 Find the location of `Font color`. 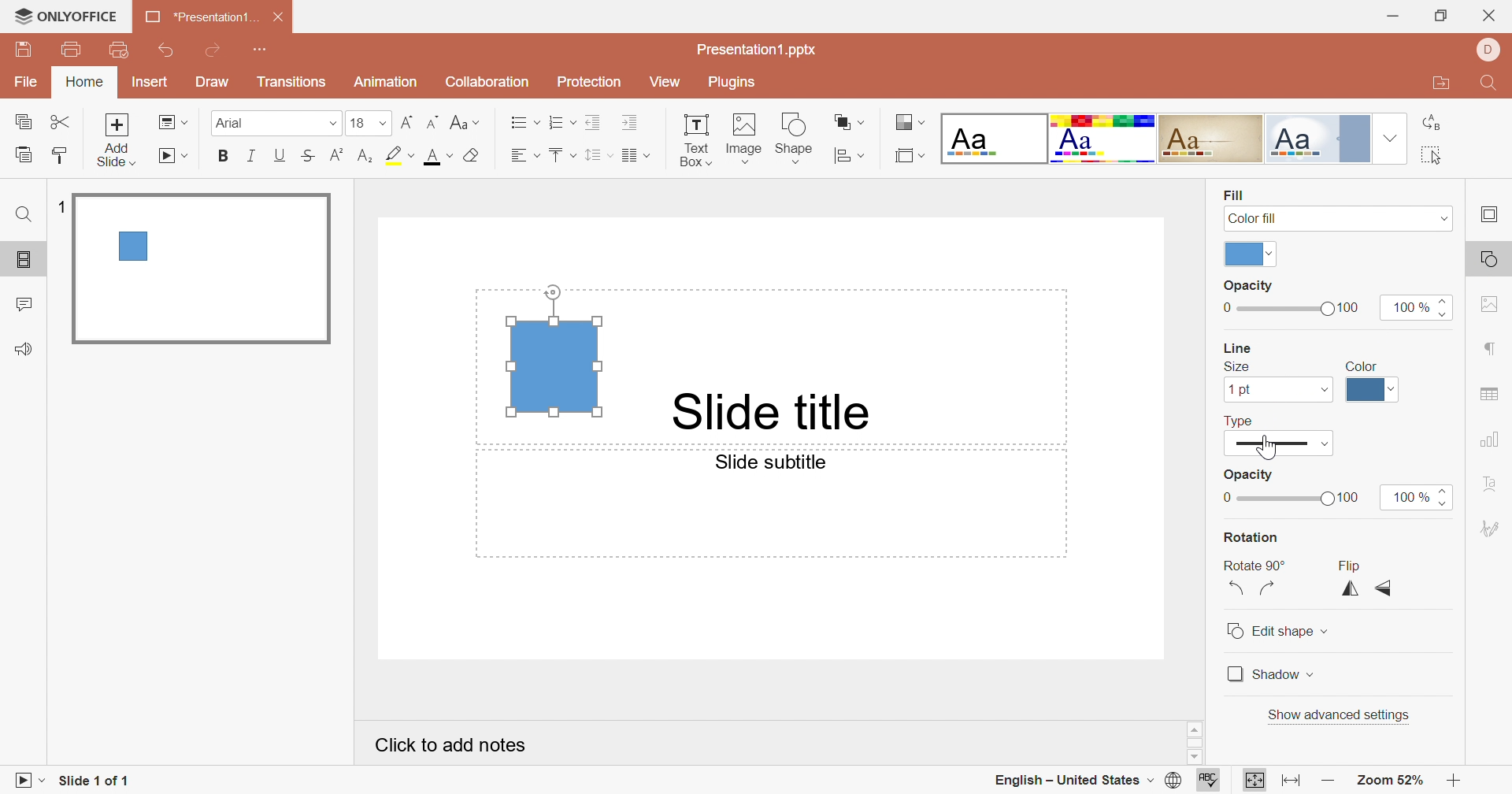

Font color is located at coordinates (434, 158).